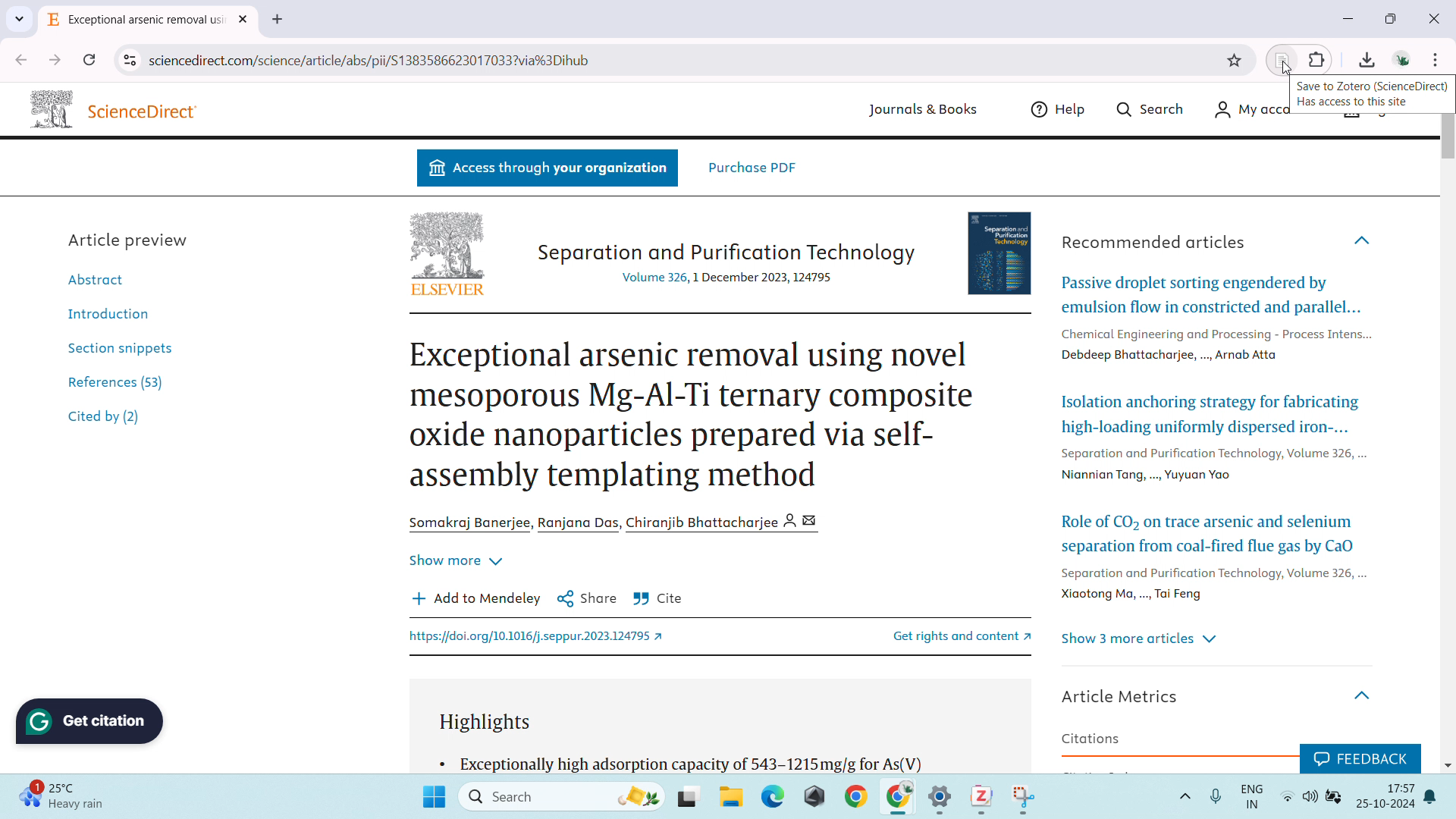 The height and width of the screenshot is (819, 1456). I want to click on Book Cover page, so click(1002, 250).